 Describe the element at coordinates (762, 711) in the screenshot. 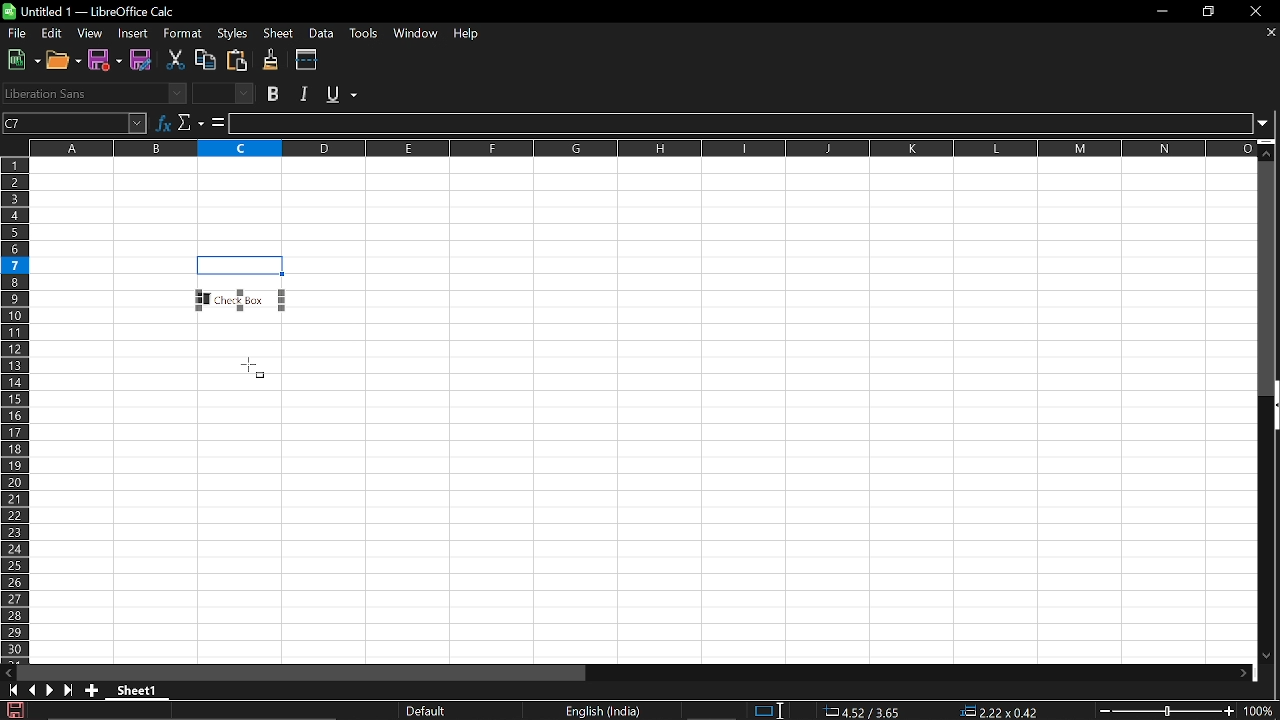

I see `Selection ` at that location.